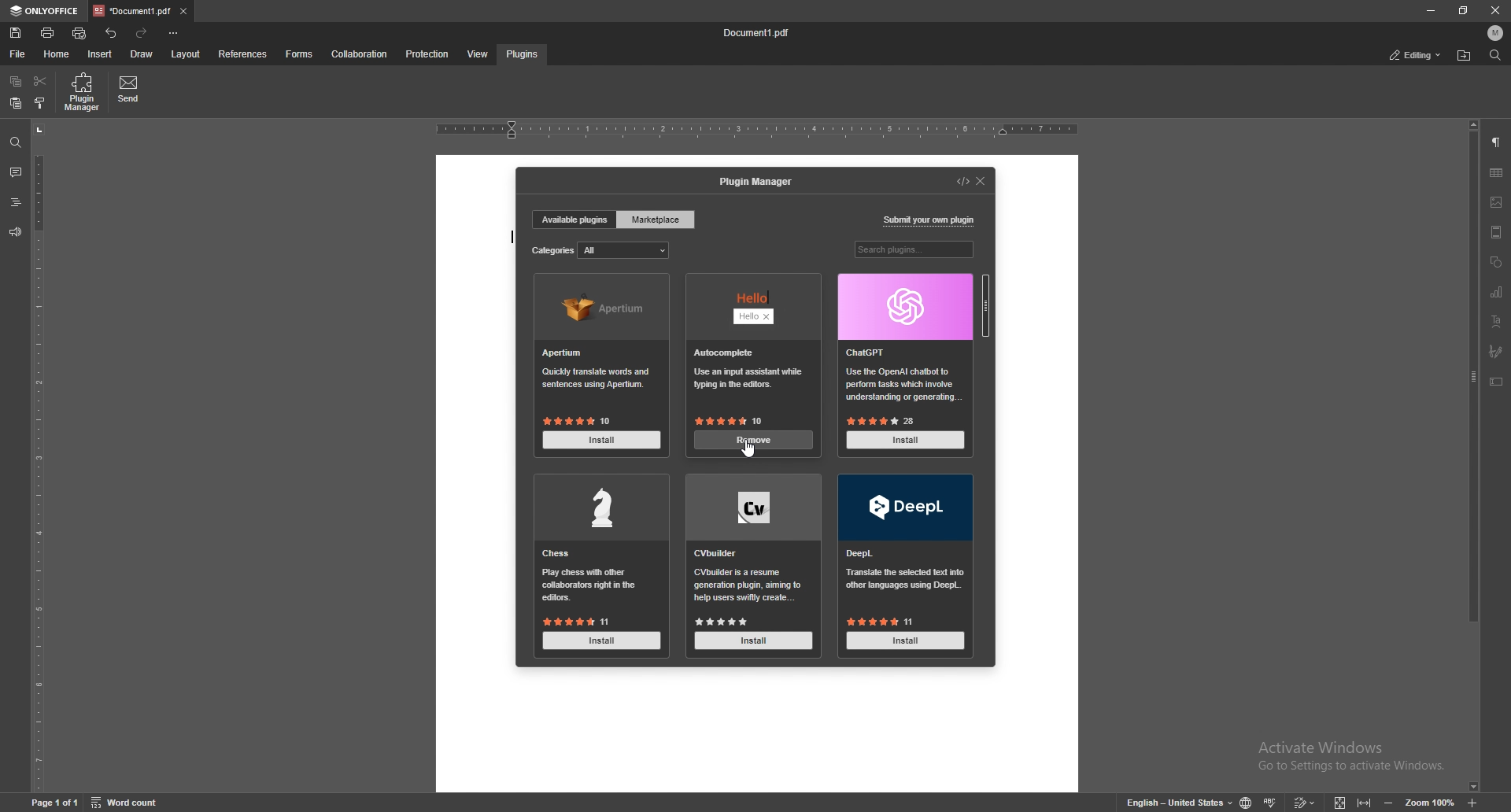  I want to click on copy style, so click(42, 103).